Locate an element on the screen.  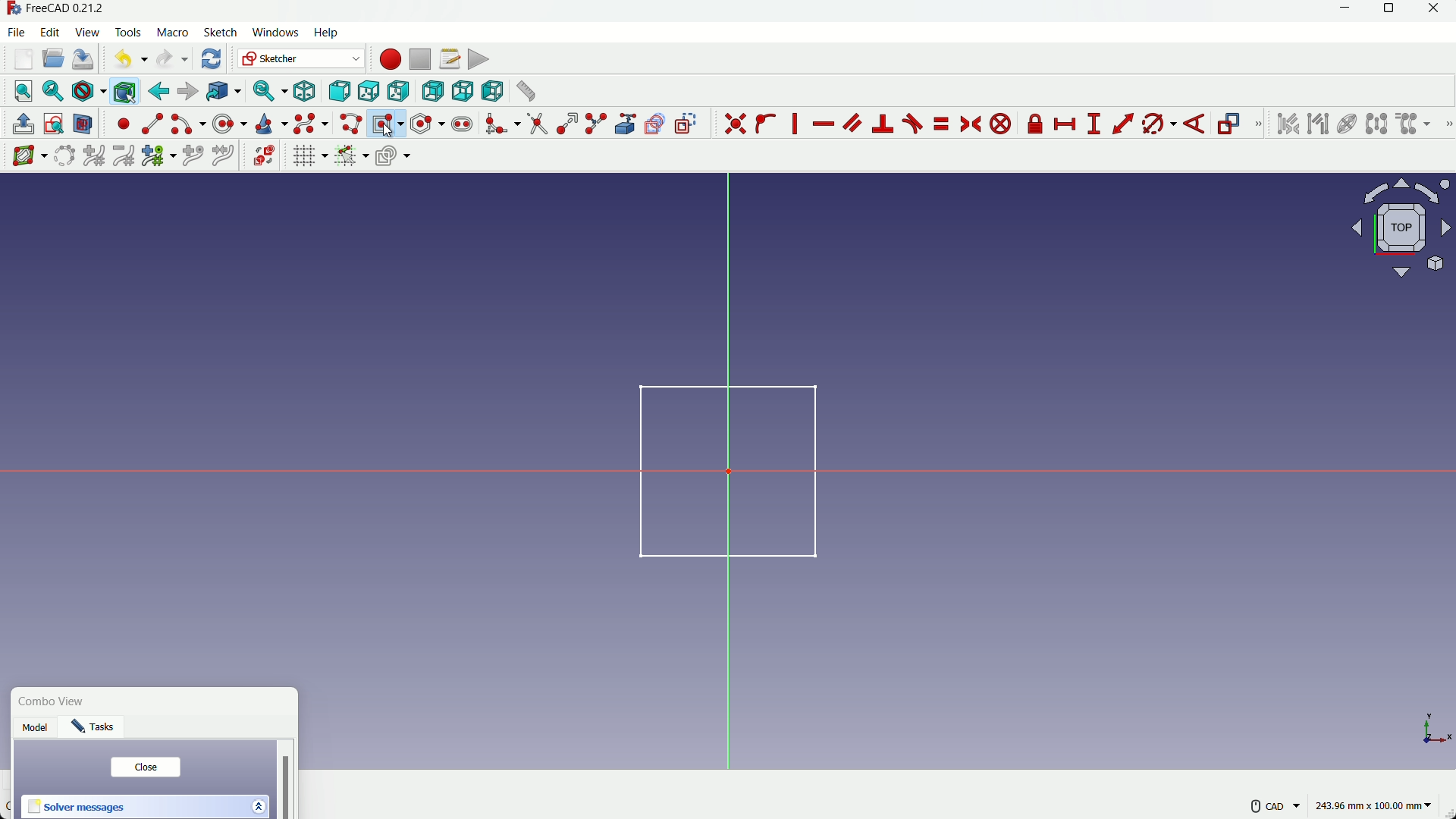
show/hide b spiline layer information is located at coordinates (23, 156).